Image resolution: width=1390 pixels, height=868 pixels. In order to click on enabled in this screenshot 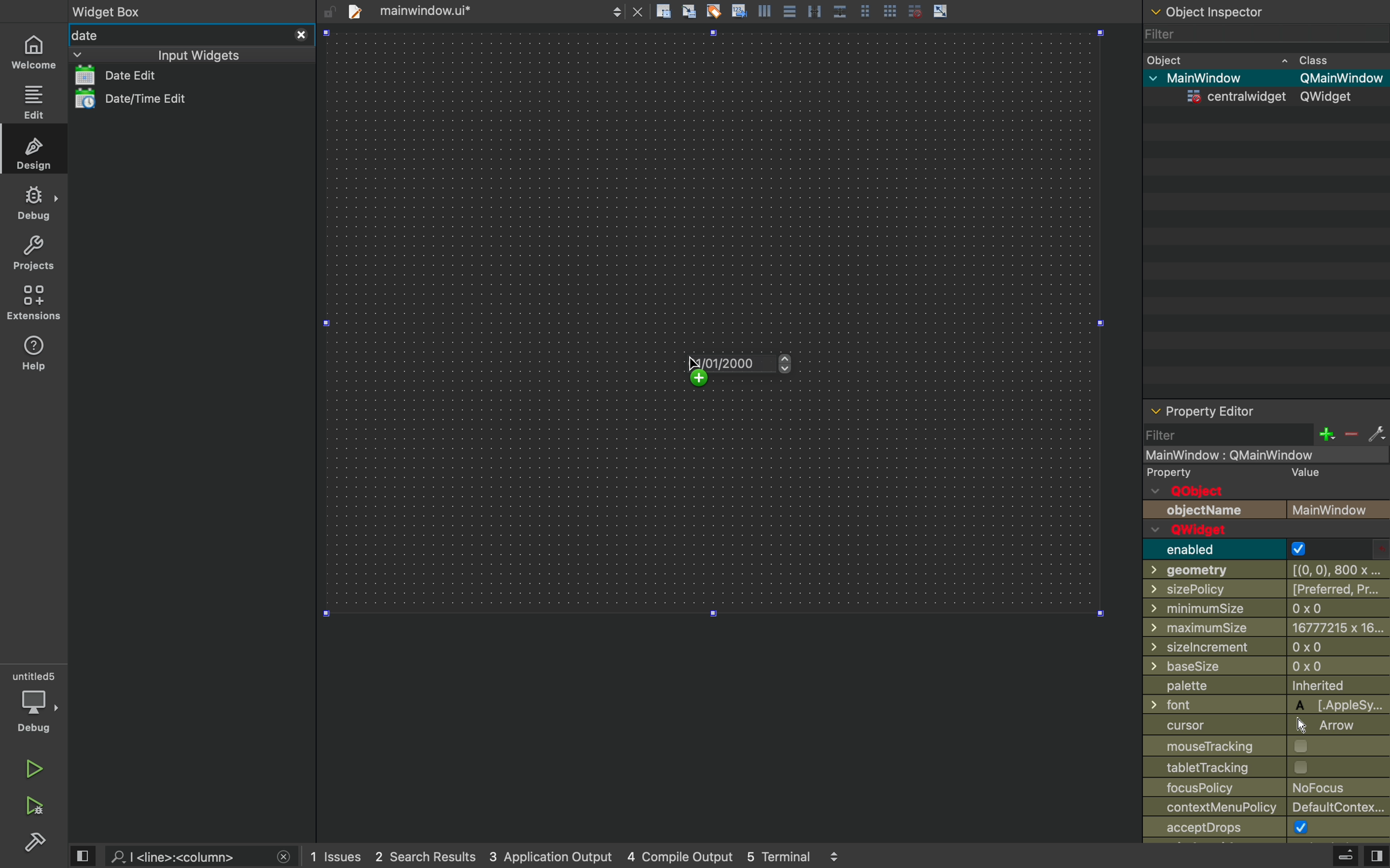, I will do `click(1268, 549)`.